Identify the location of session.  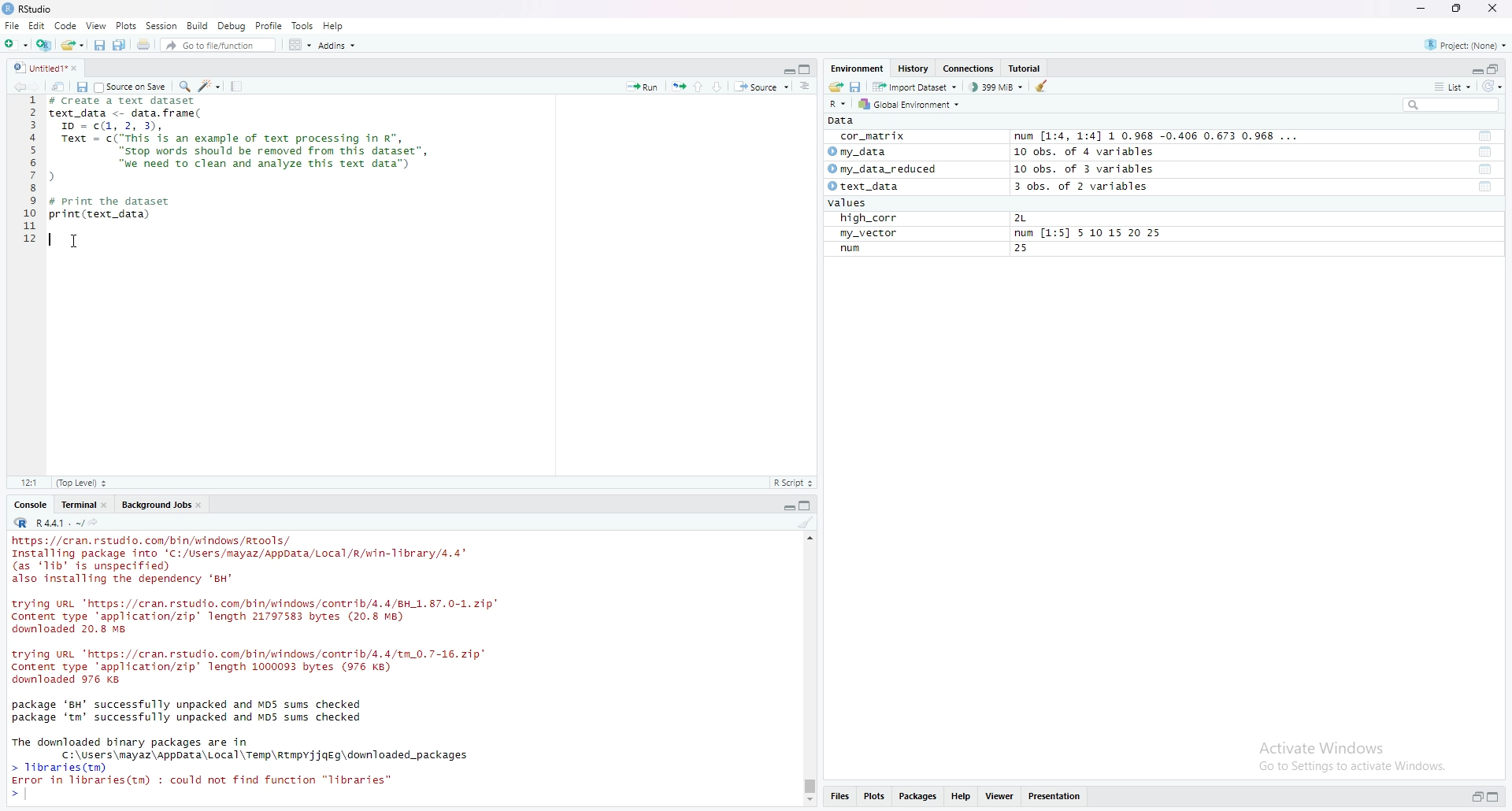
(161, 25).